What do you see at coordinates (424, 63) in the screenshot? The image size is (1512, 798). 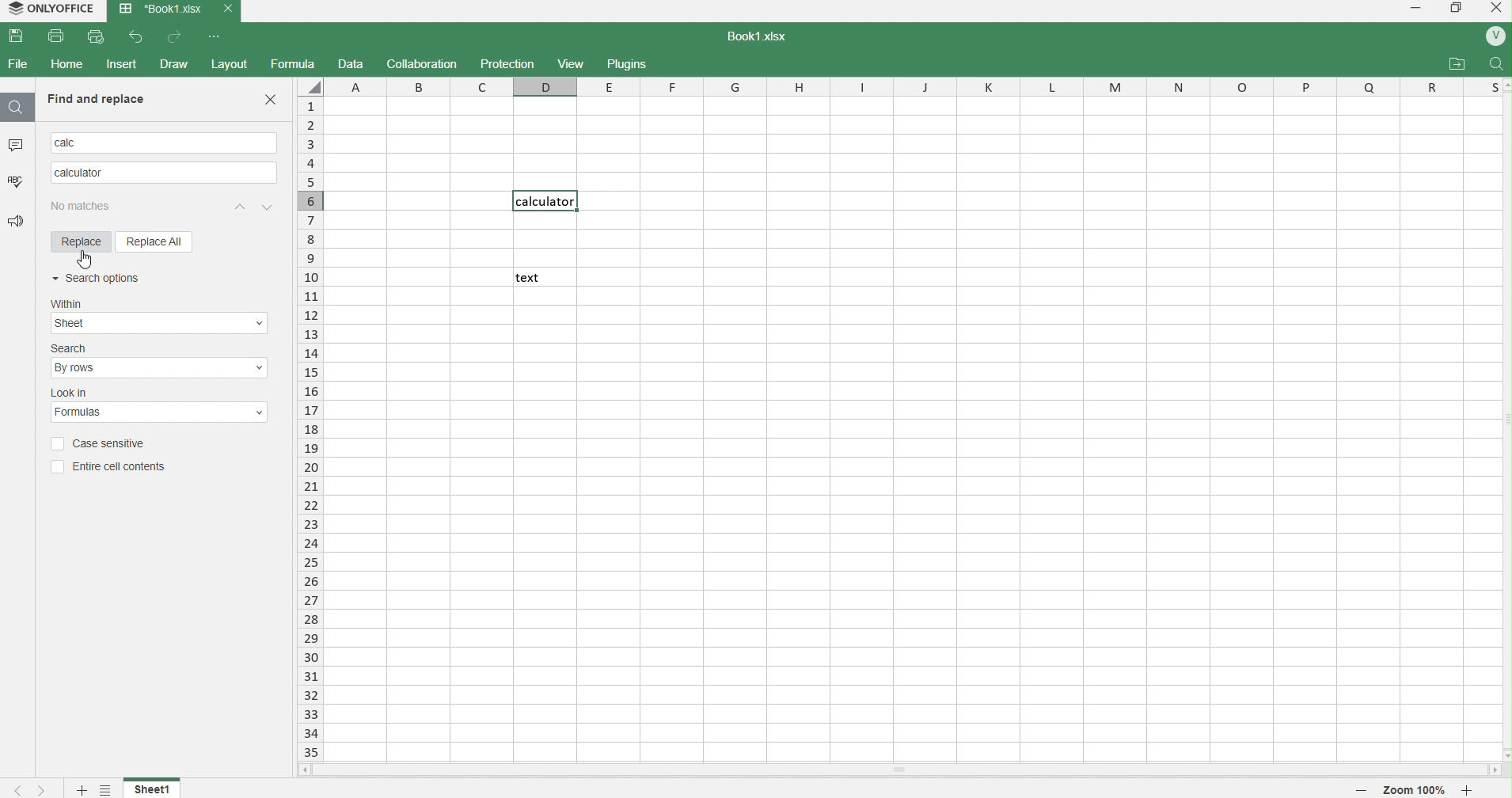 I see `collaboration` at bounding box center [424, 63].